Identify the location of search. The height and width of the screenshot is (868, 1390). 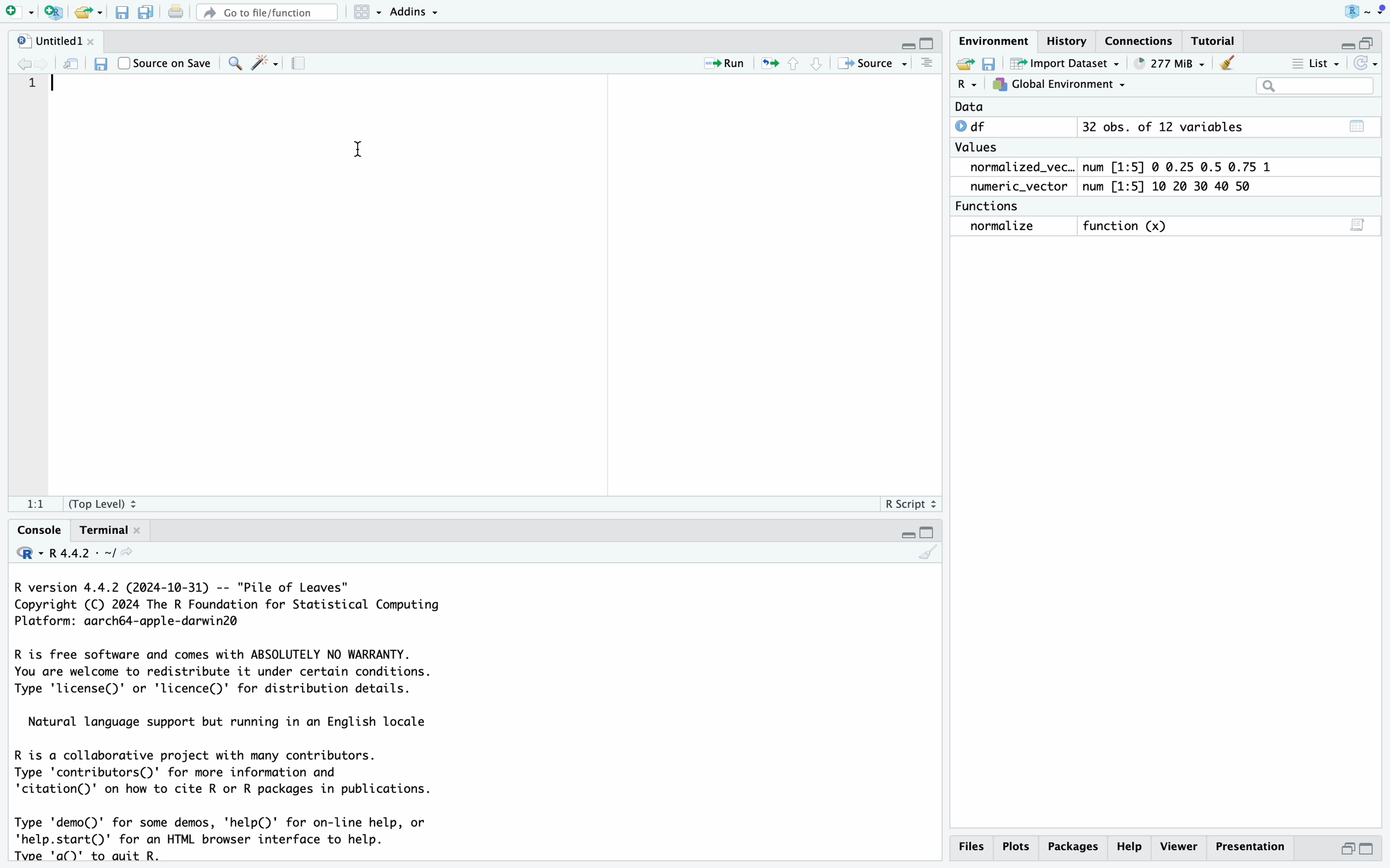
(233, 64).